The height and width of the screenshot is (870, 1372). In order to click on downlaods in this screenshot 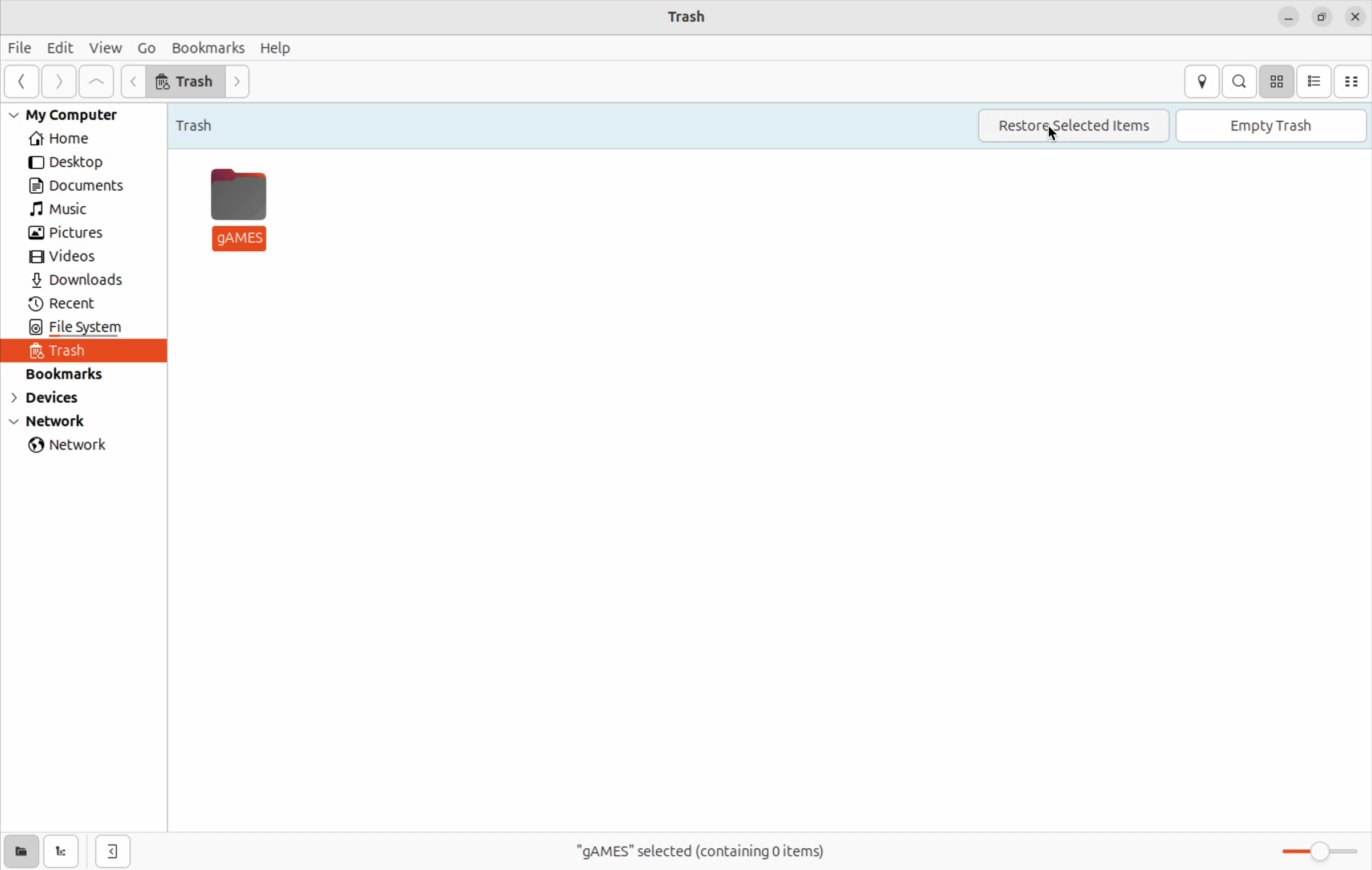, I will do `click(84, 281)`.